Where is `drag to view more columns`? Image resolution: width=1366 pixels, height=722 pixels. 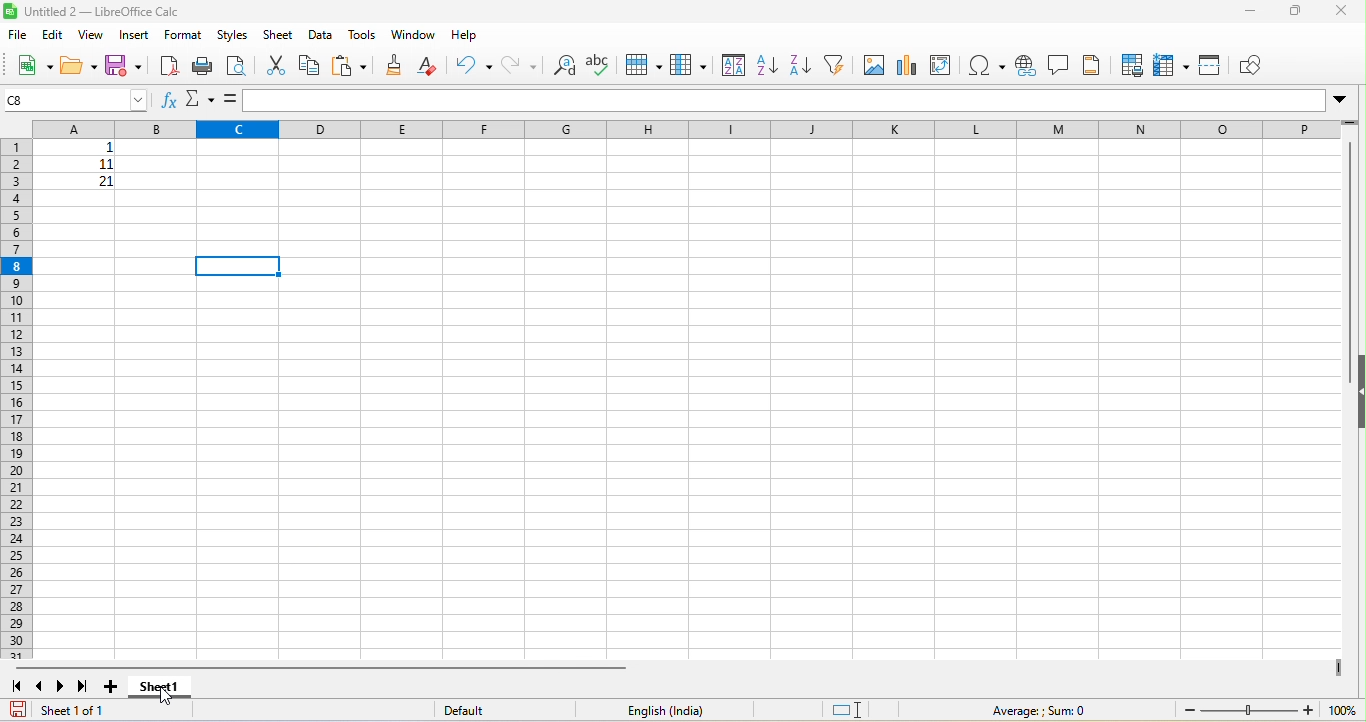 drag to view more columns is located at coordinates (1335, 666).